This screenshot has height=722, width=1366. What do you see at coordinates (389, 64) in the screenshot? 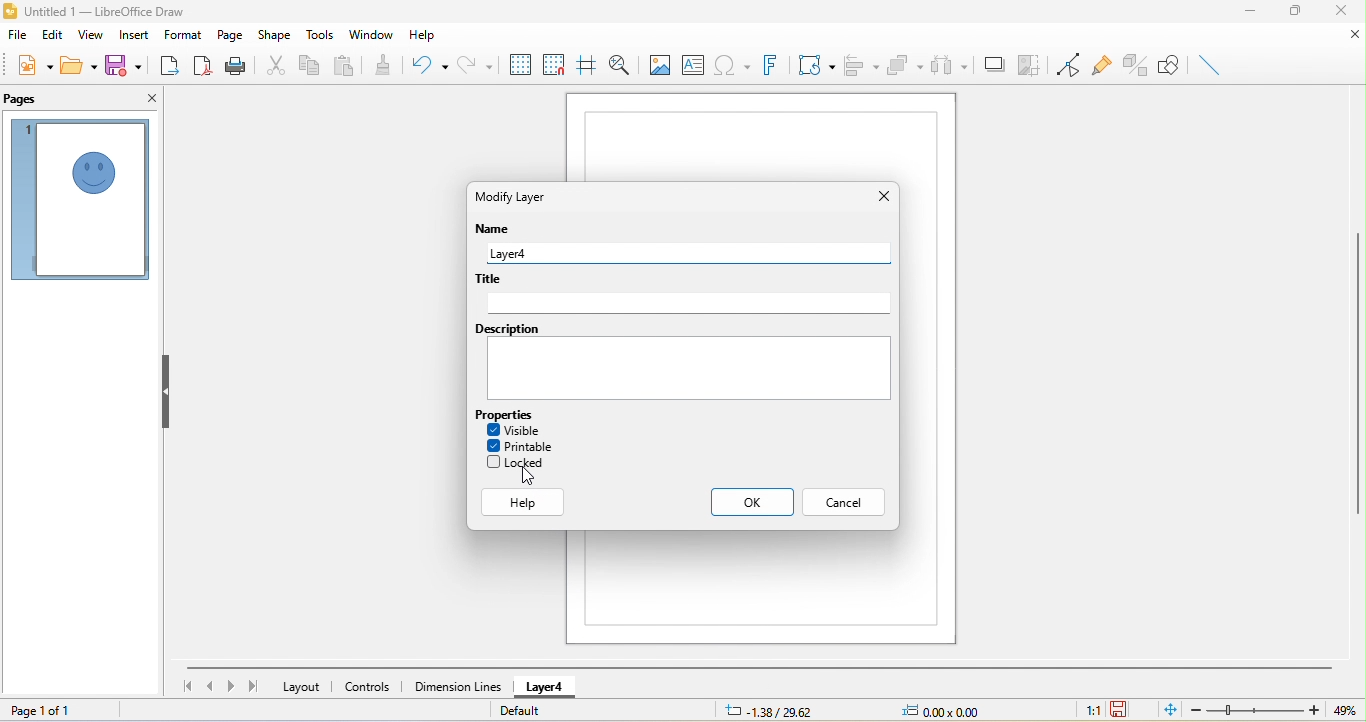
I see `clone formatting` at bounding box center [389, 64].